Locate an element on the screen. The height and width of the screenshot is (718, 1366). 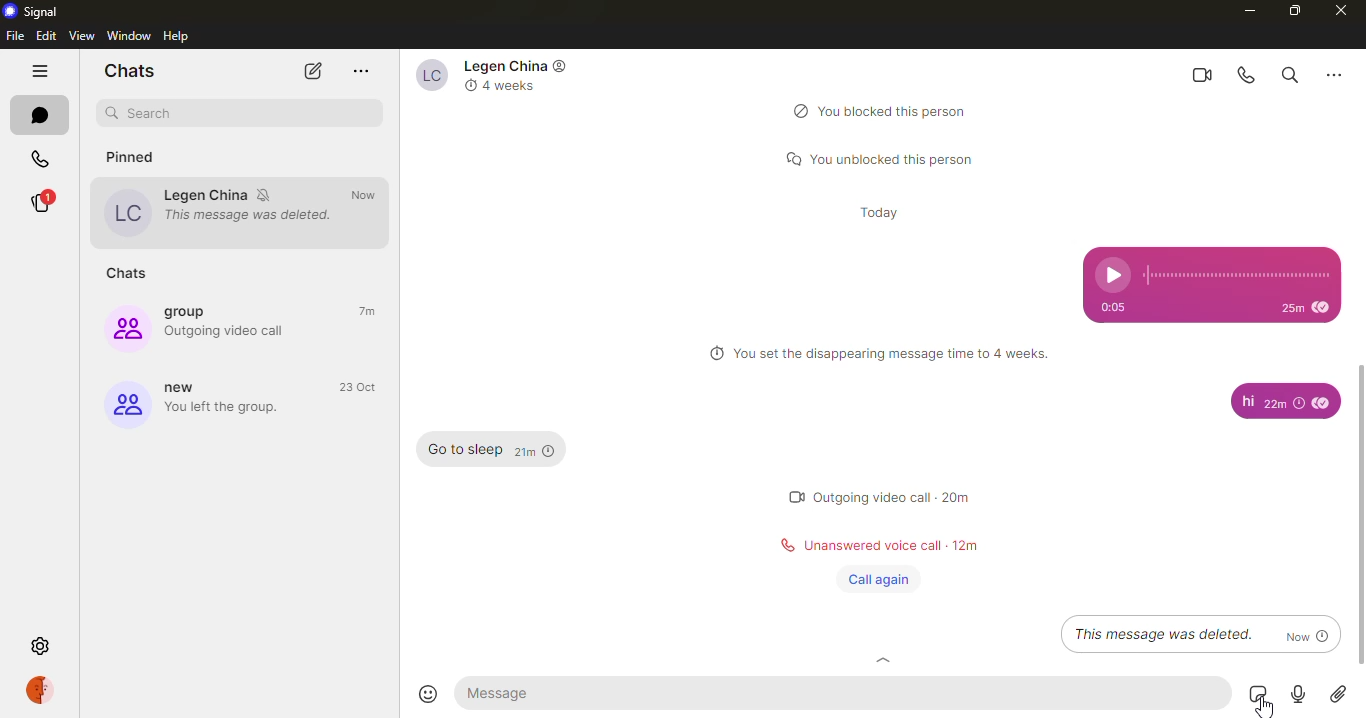
0:05 is located at coordinates (1112, 308).